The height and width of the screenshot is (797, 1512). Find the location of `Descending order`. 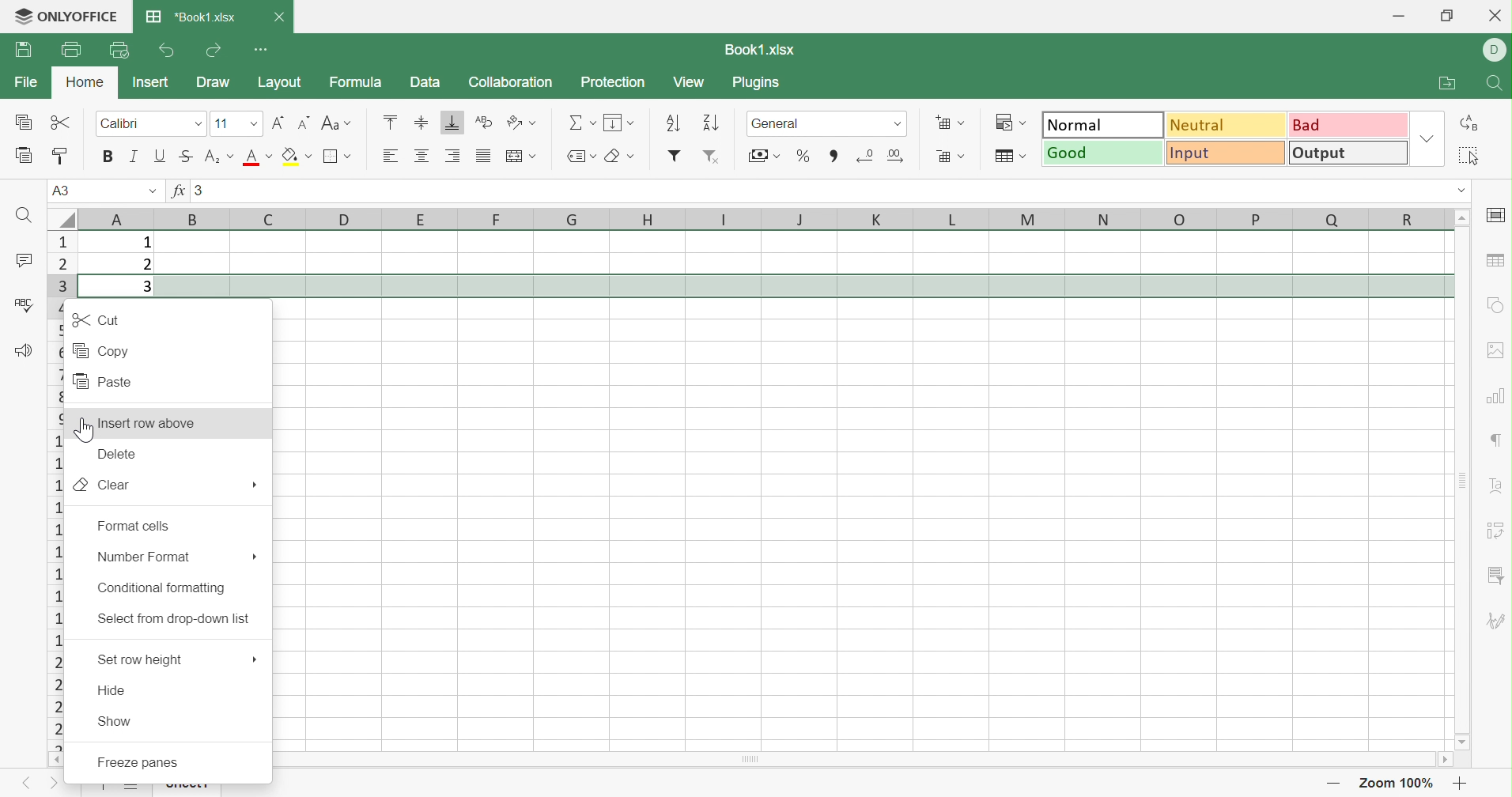

Descending order is located at coordinates (712, 123).